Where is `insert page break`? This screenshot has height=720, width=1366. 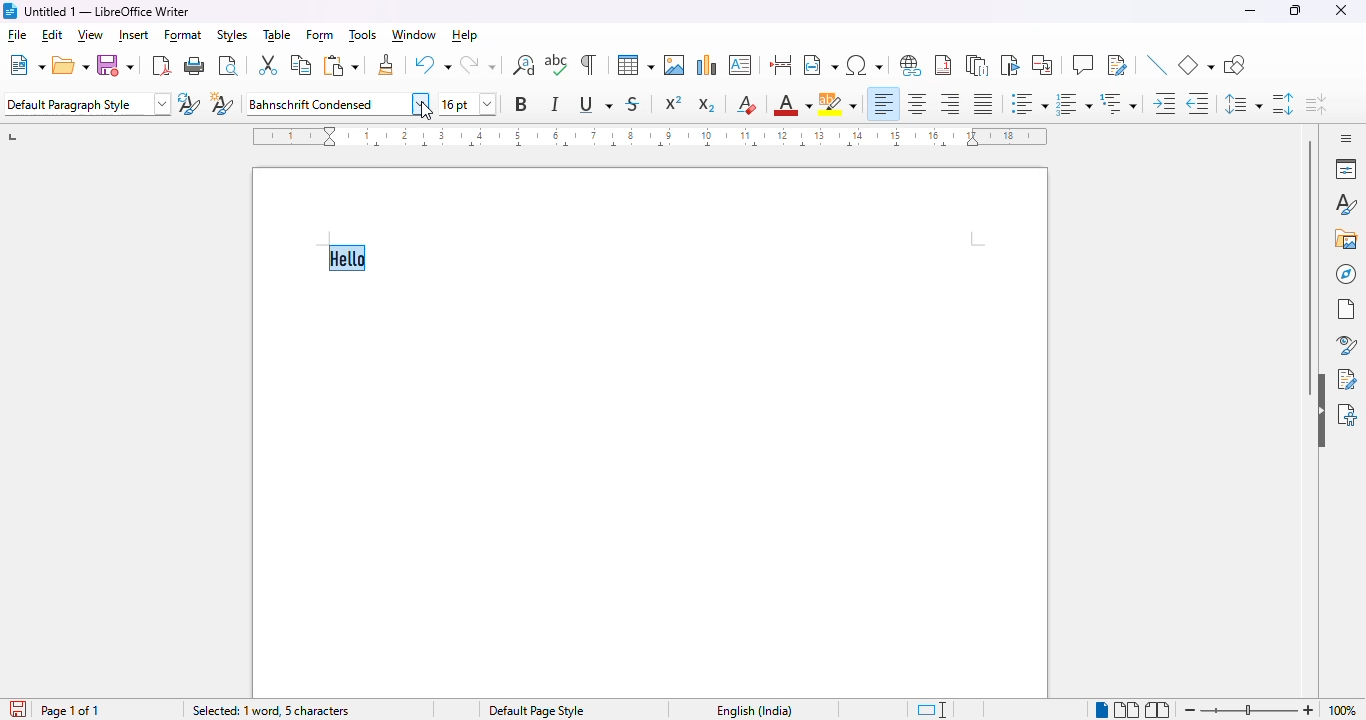 insert page break is located at coordinates (780, 64).